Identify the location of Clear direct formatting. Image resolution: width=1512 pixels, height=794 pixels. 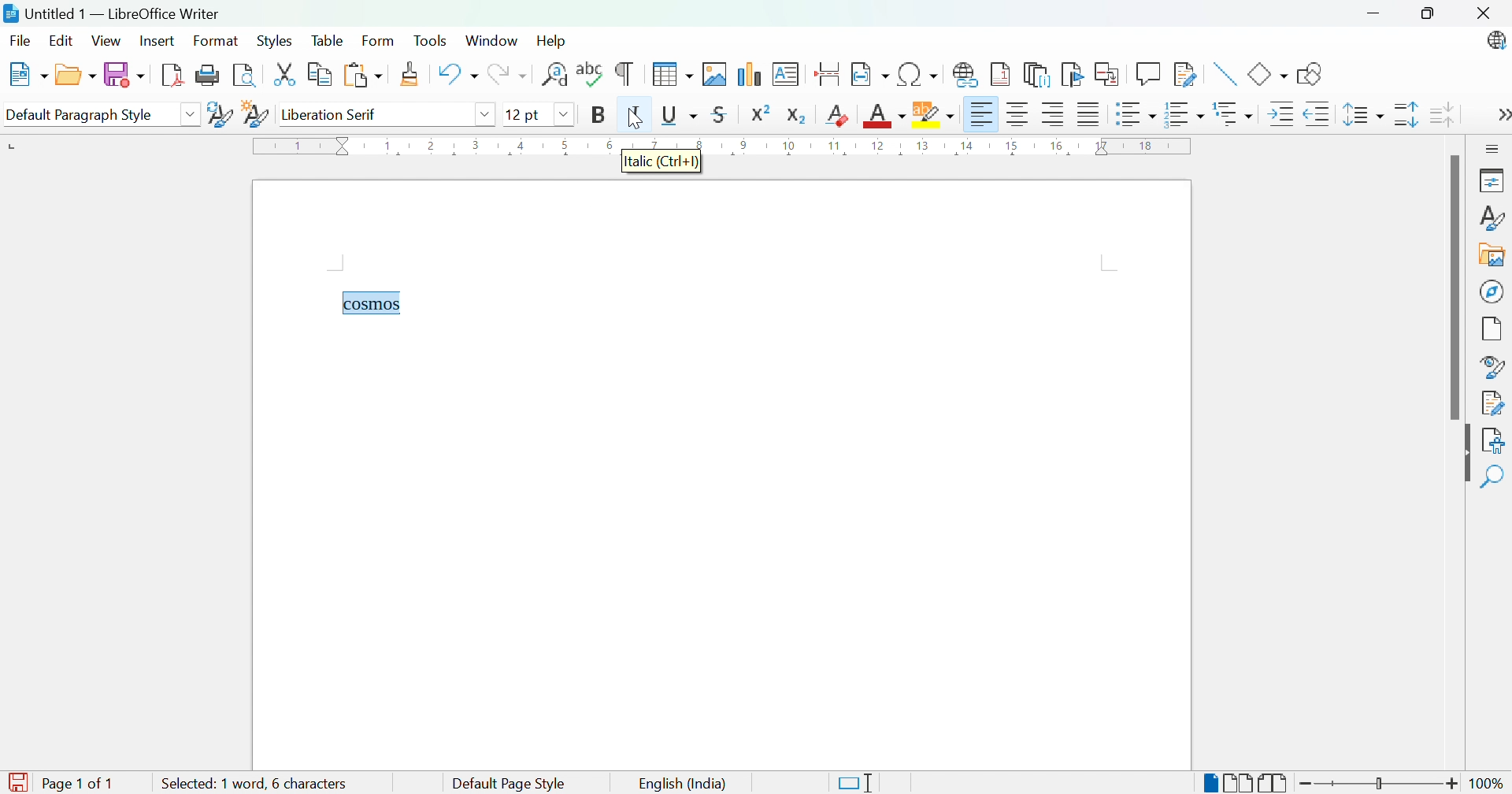
(837, 116).